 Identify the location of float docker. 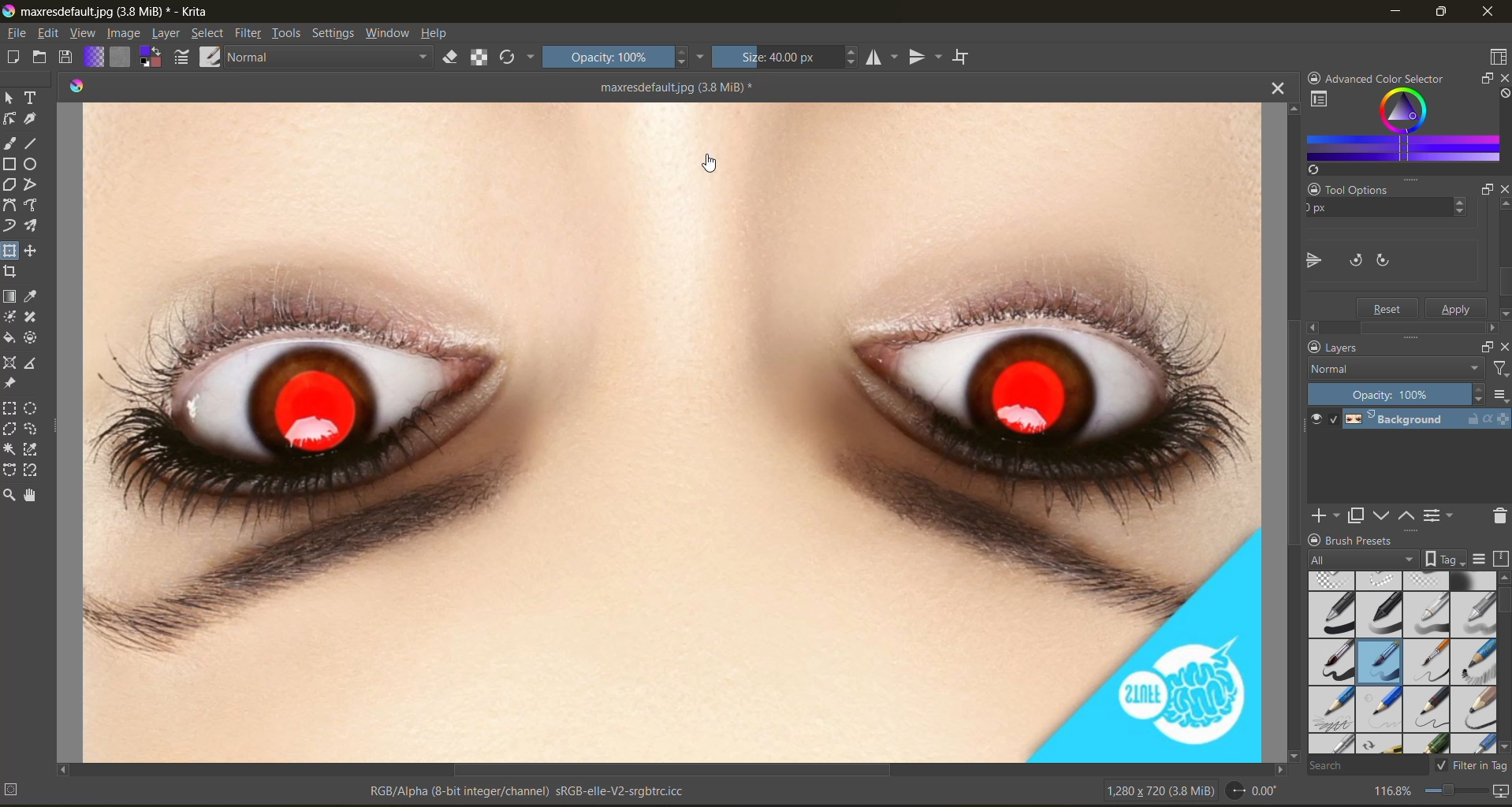
(1482, 80).